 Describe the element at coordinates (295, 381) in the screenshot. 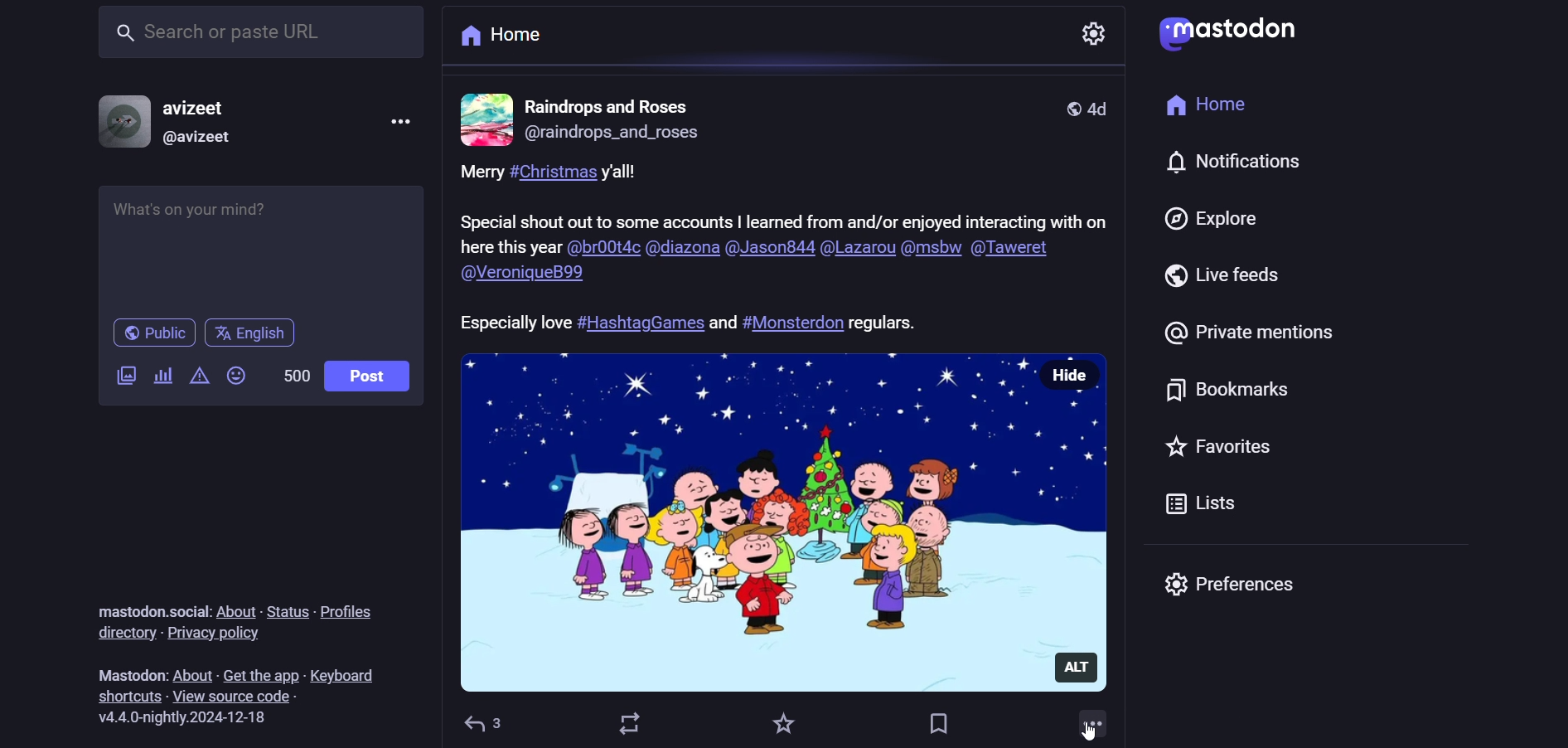

I see `word limit ` at that location.